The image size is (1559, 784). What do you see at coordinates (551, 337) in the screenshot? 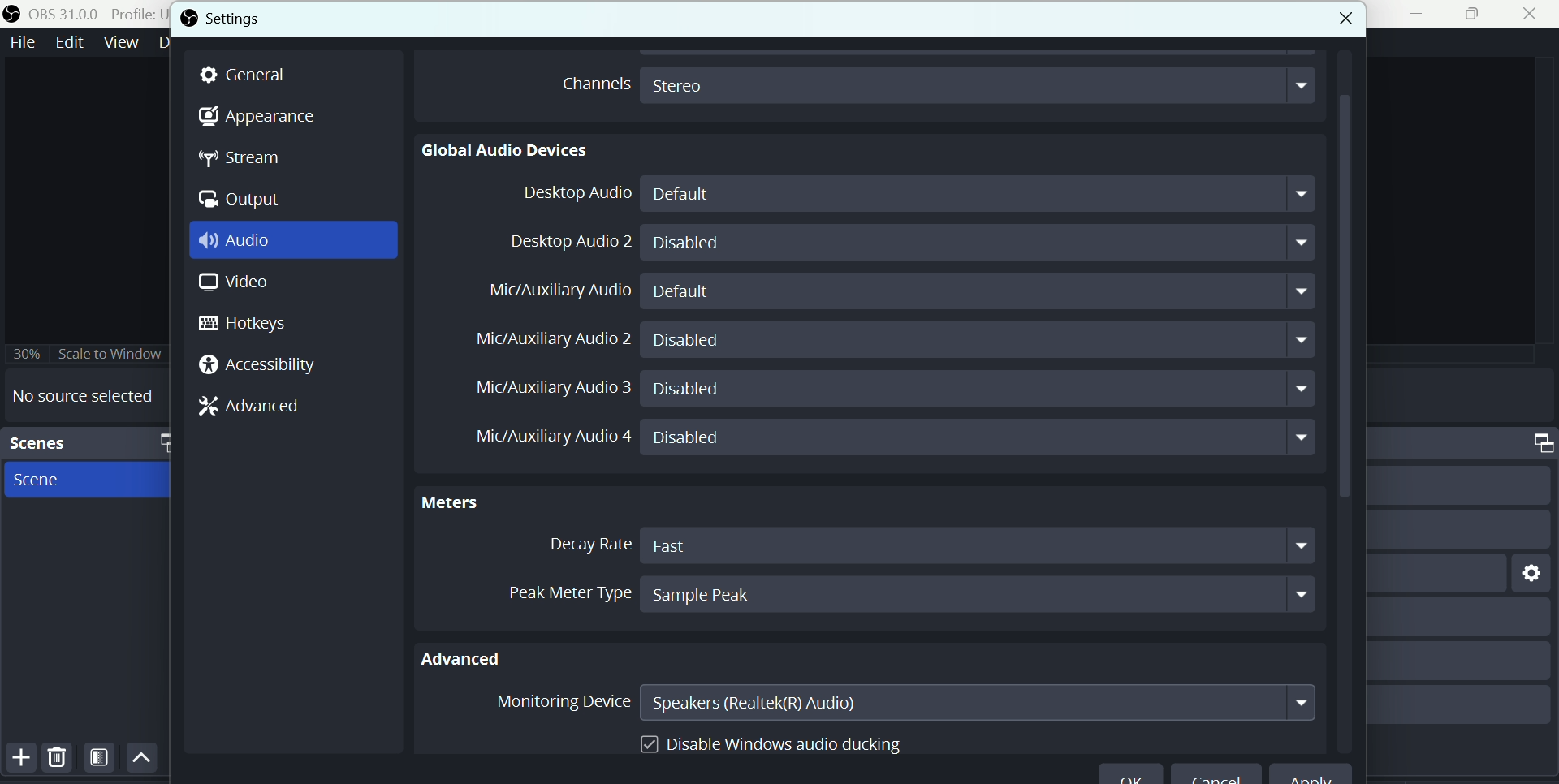
I see `Mic/Auxiliary Audio 2` at bounding box center [551, 337].